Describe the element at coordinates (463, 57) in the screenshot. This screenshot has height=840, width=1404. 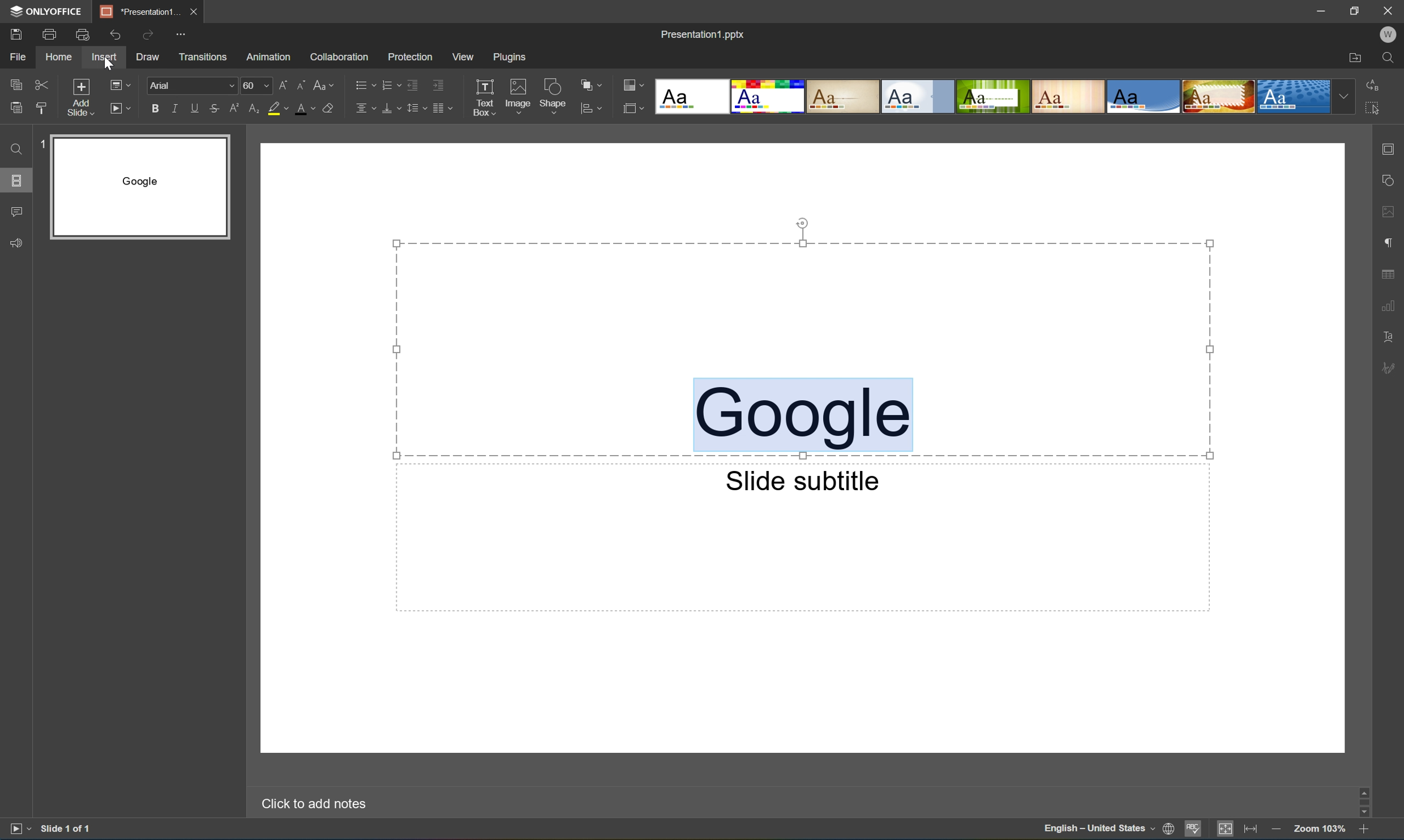
I see `View` at that location.